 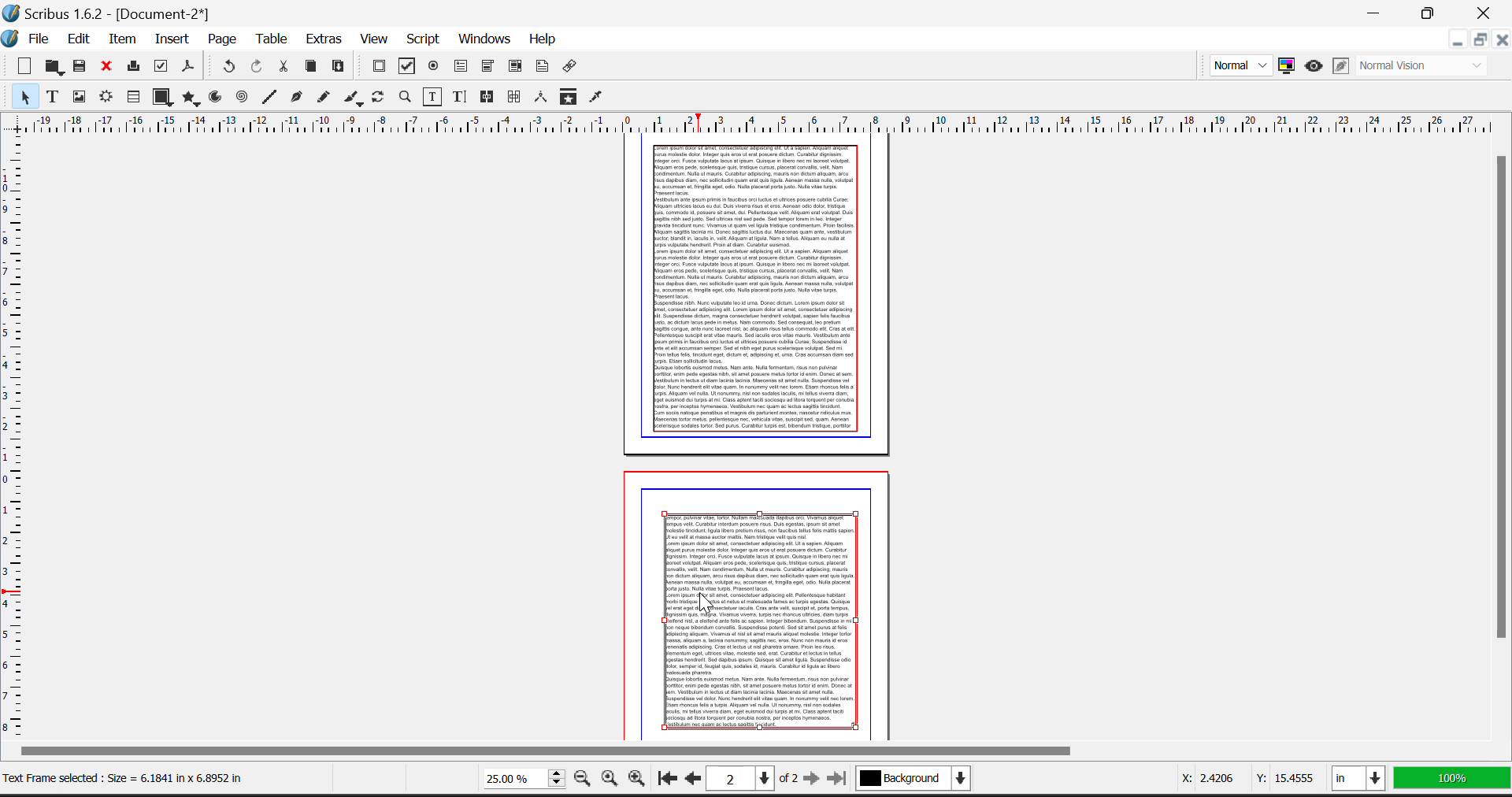 I want to click on Close, so click(x=1501, y=40).